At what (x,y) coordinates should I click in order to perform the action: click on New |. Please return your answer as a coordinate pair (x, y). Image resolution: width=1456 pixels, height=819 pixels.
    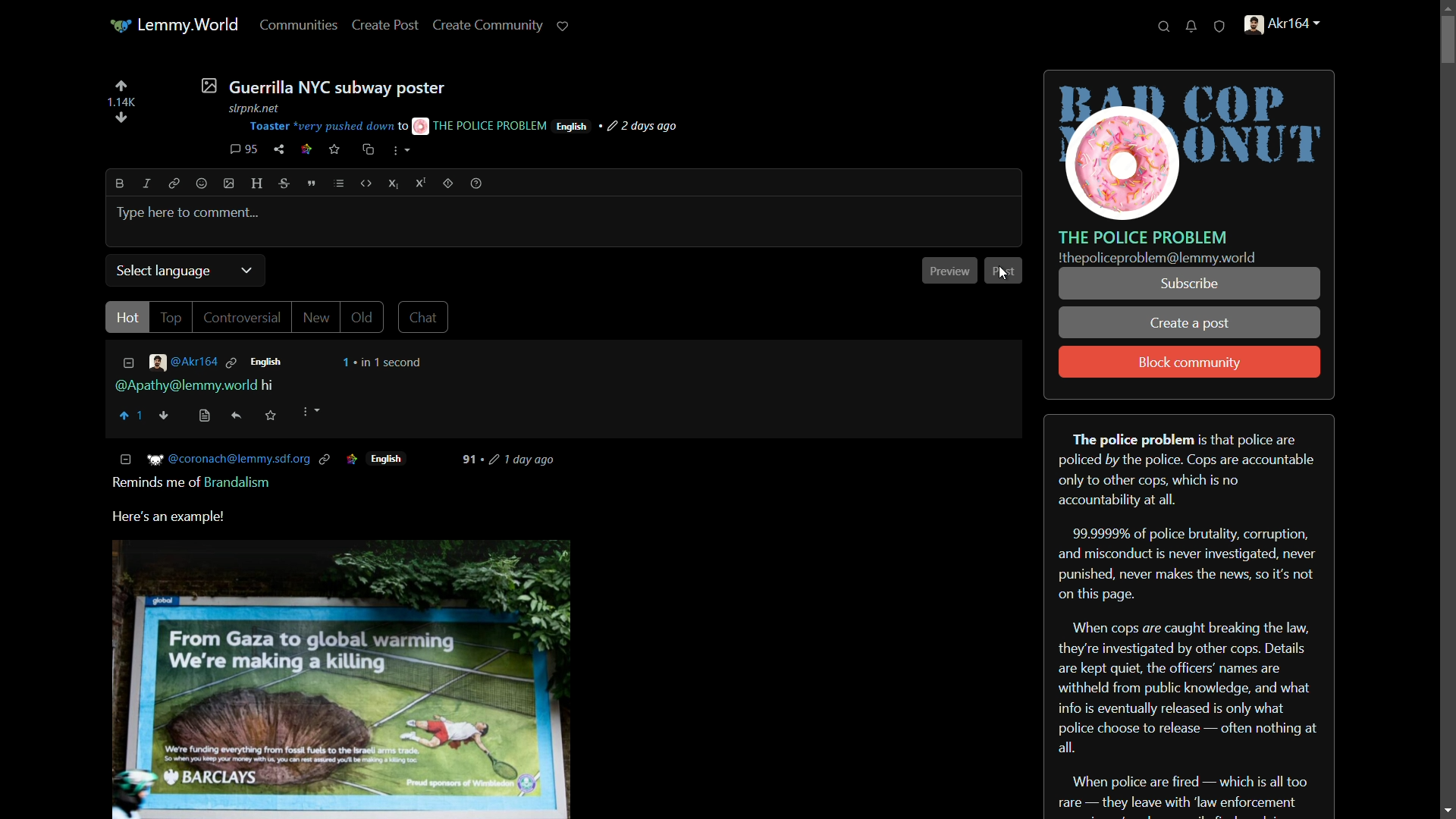
    Looking at the image, I should click on (318, 318).